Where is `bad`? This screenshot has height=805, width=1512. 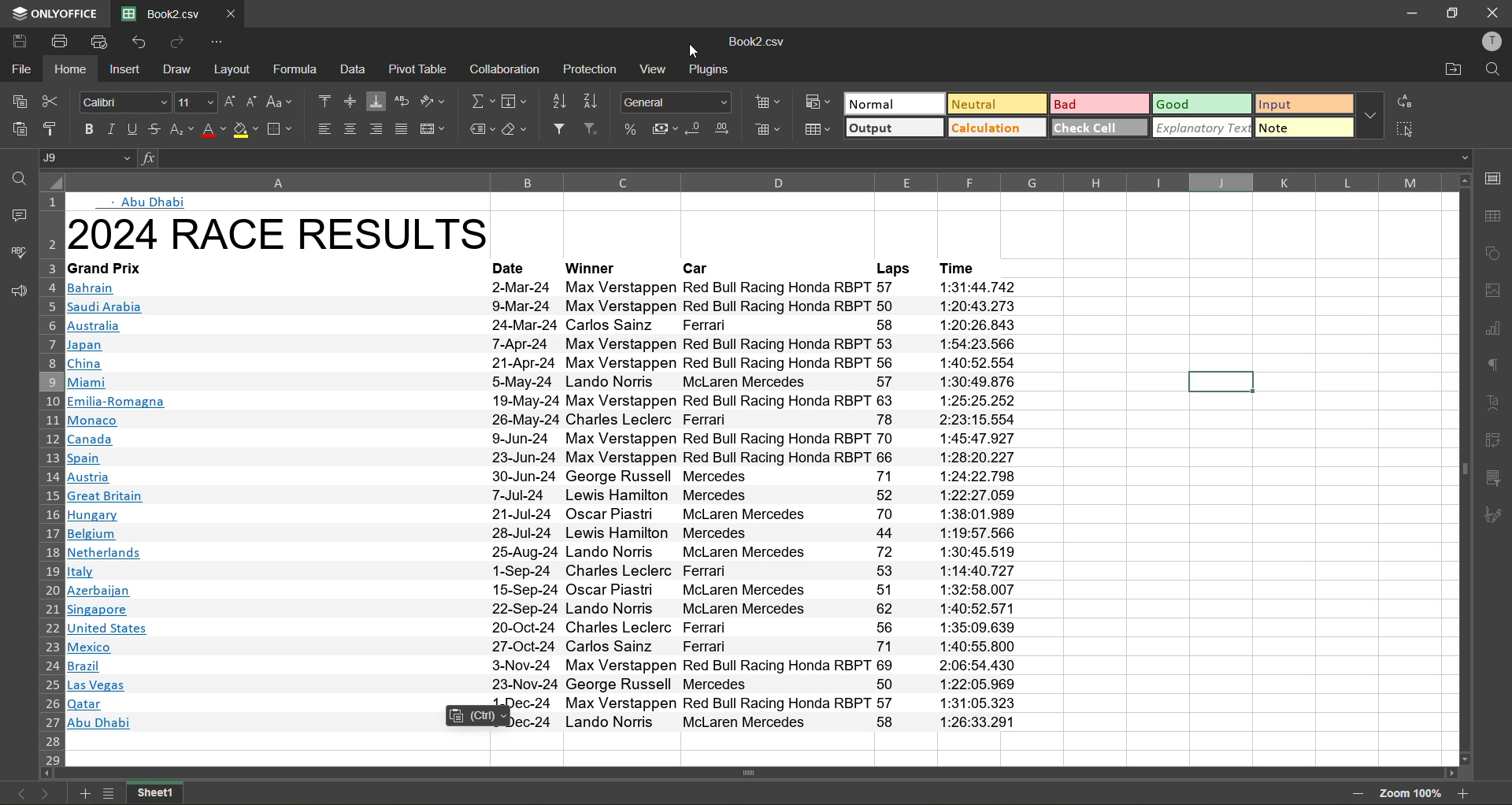 bad is located at coordinates (1101, 103).